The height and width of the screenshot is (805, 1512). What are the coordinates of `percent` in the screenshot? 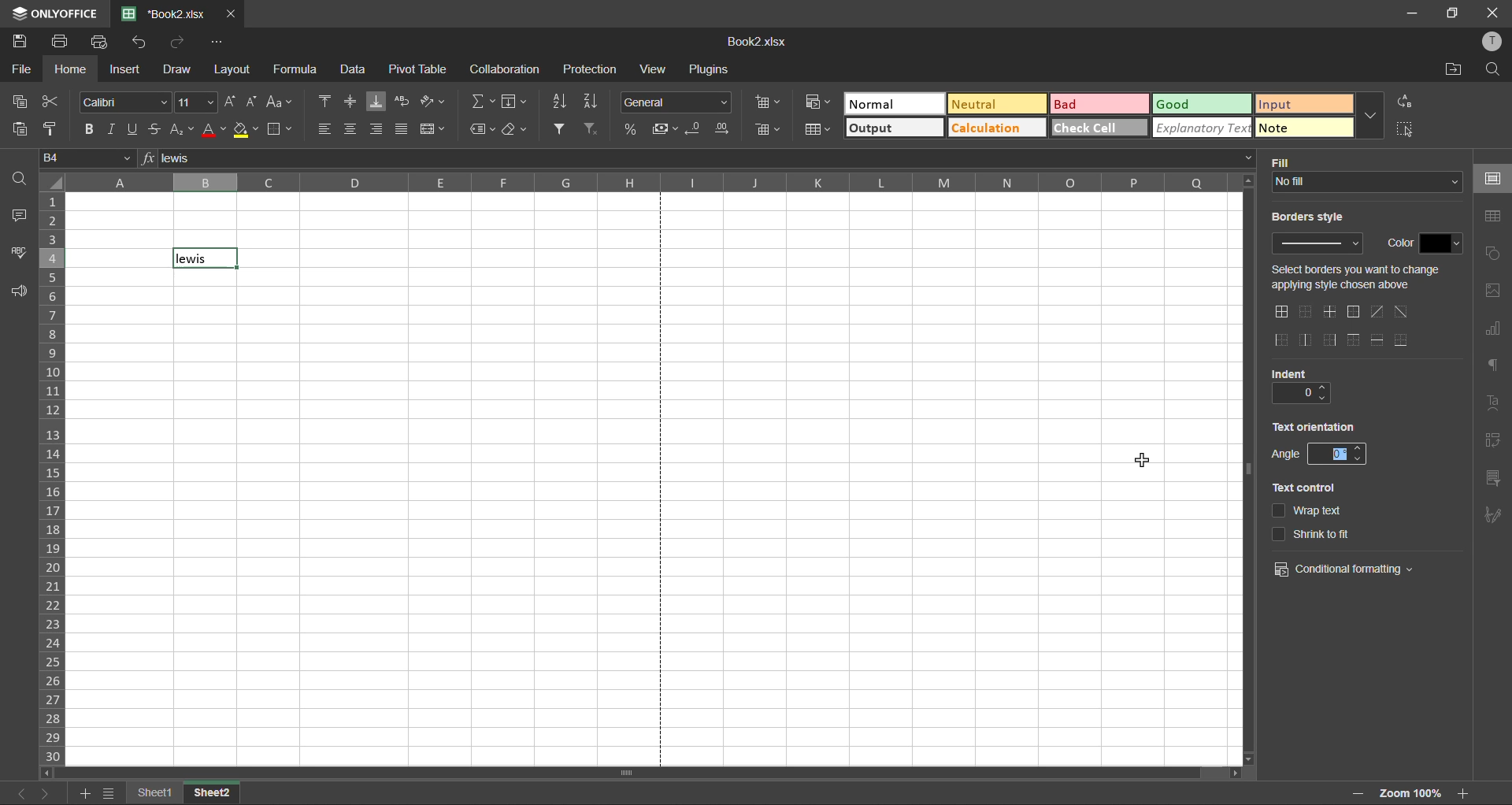 It's located at (631, 130).